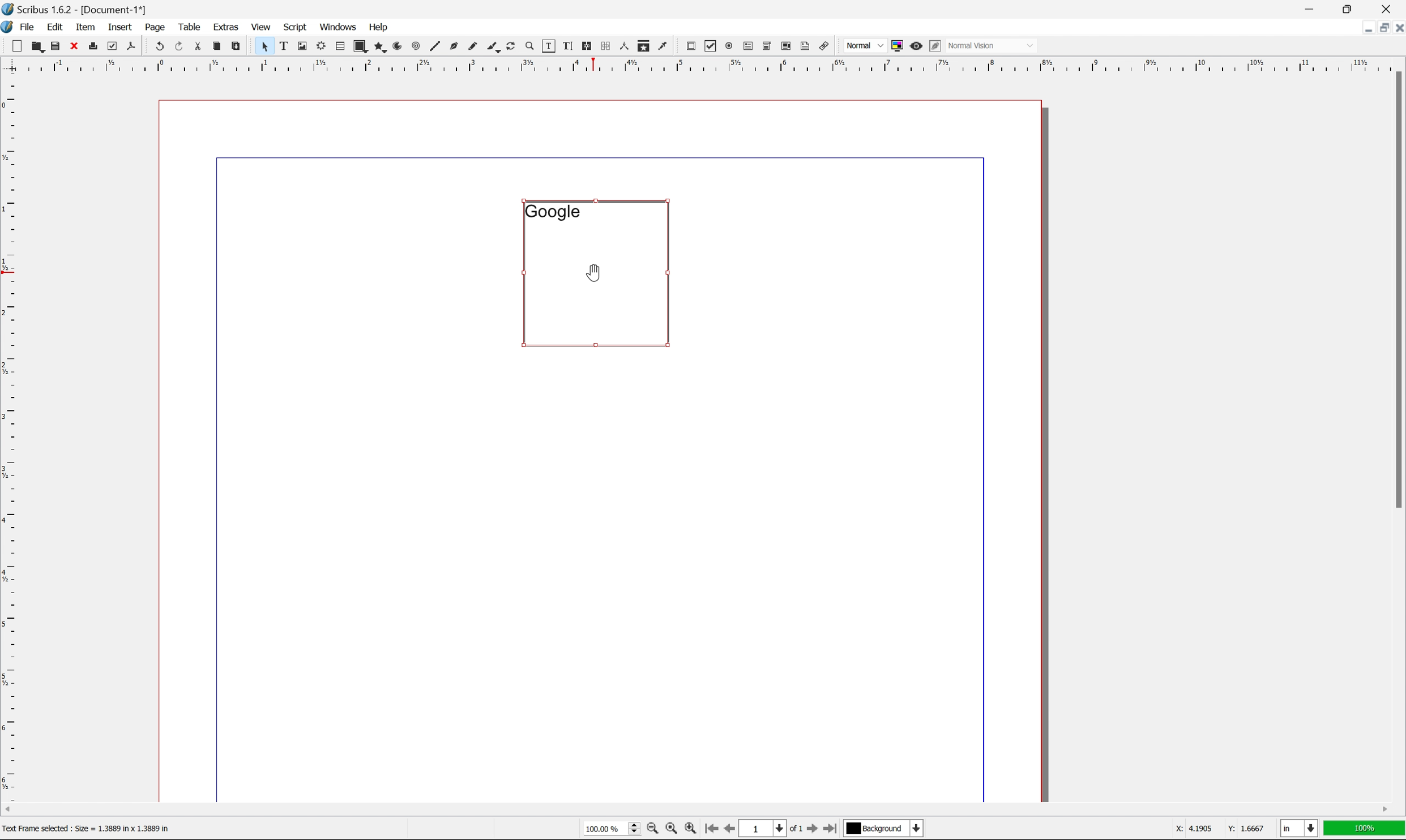  Describe the element at coordinates (830, 829) in the screenshot. I see `go to last page` at that location.